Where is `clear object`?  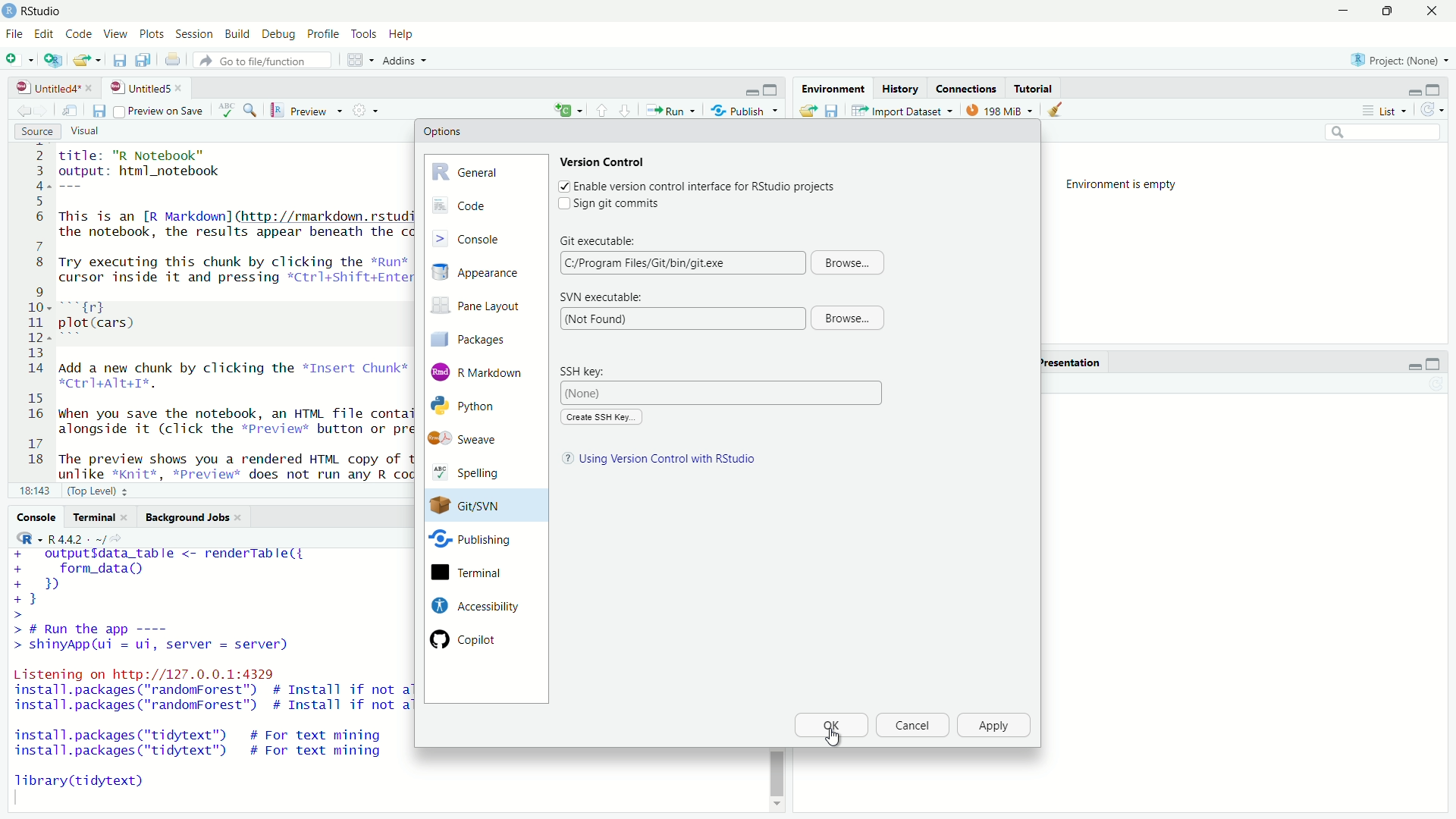
clear object is located at coordinates (1053, 110).